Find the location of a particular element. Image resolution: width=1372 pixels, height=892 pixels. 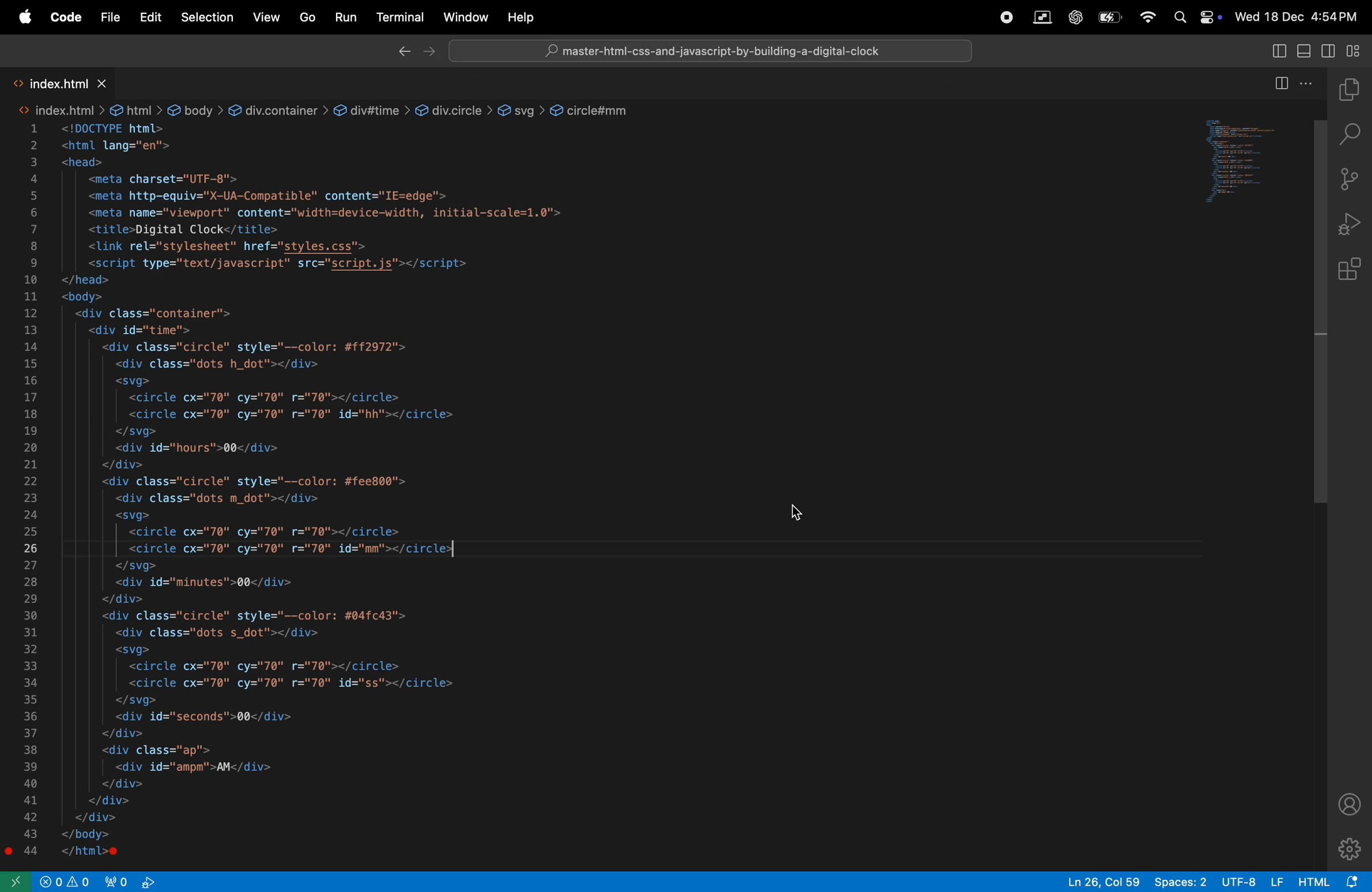

Wed 18 Dec 4:54PM is located at coordinates (1298, 16).